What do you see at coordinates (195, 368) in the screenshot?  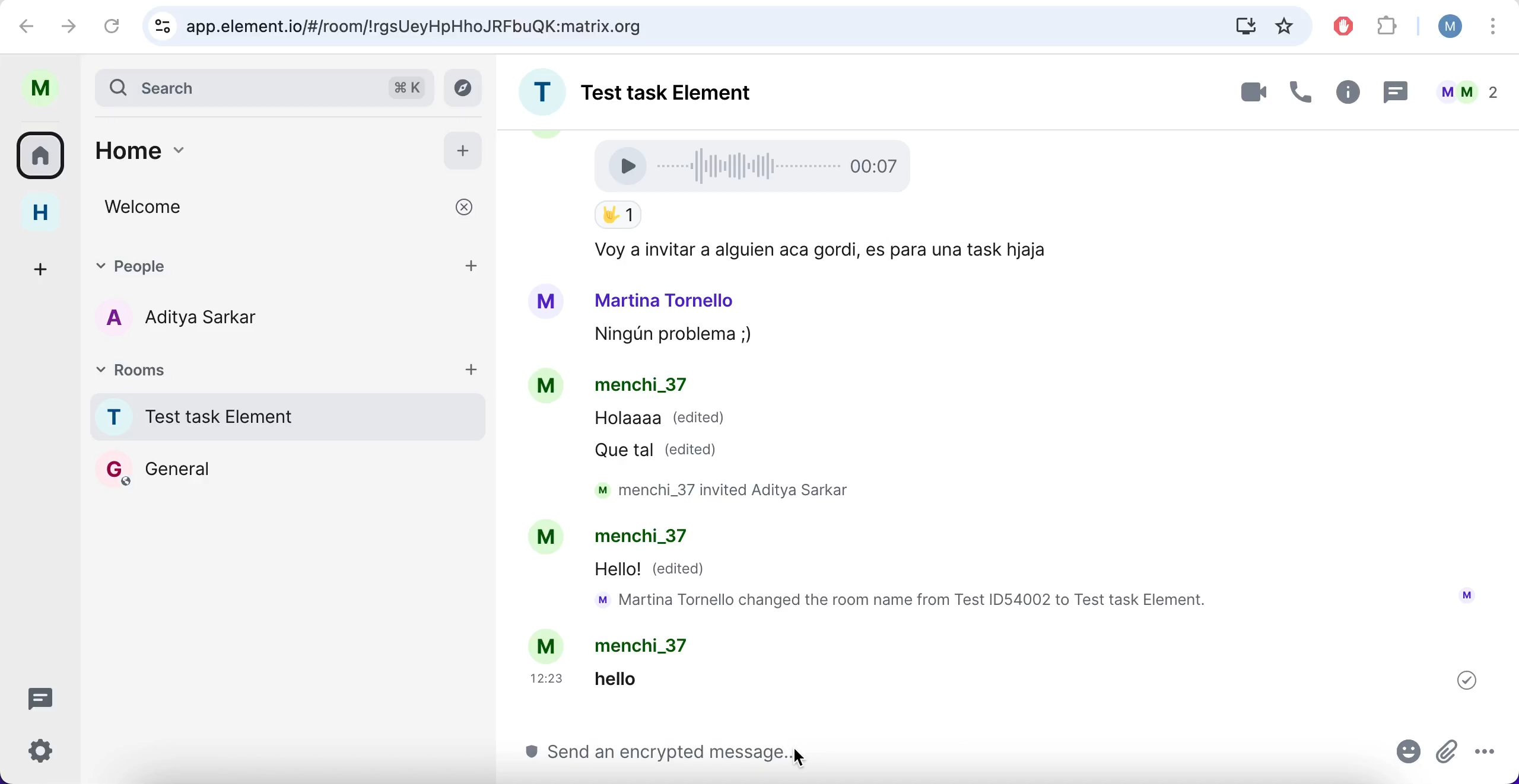 I see `rooms` at bounding box center [195, 368].